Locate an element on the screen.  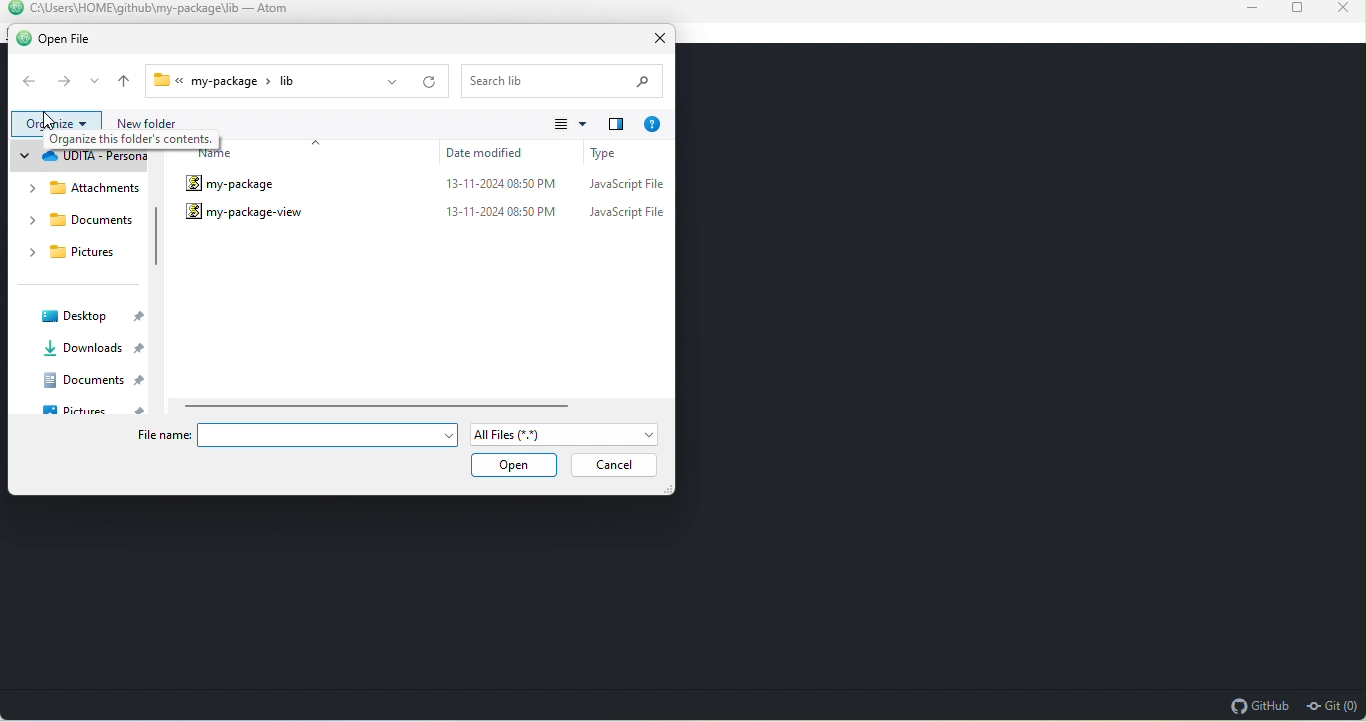
new folder is located at coordinates (327, 122).